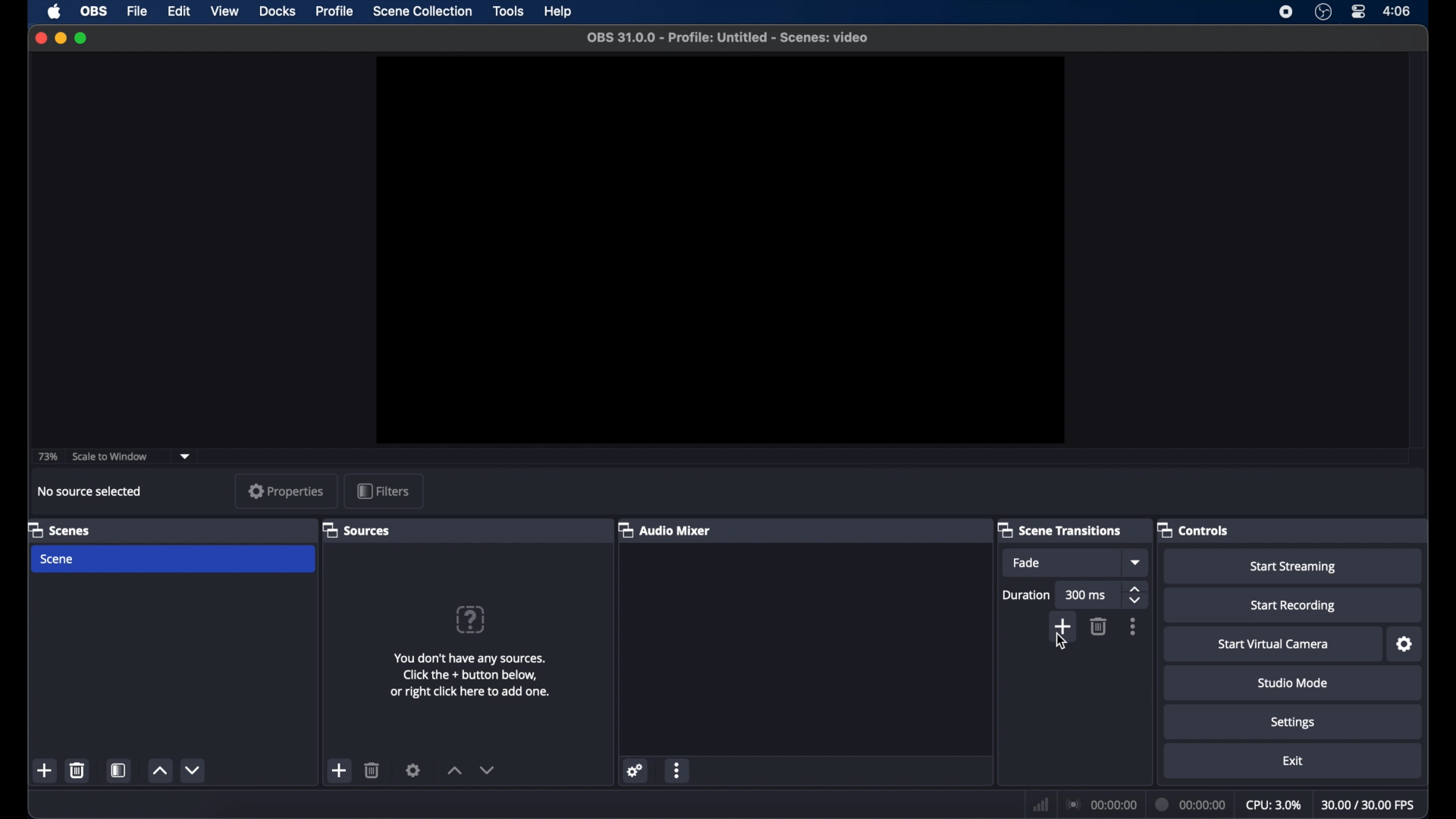  I want to click on increment, so click(453, 770).